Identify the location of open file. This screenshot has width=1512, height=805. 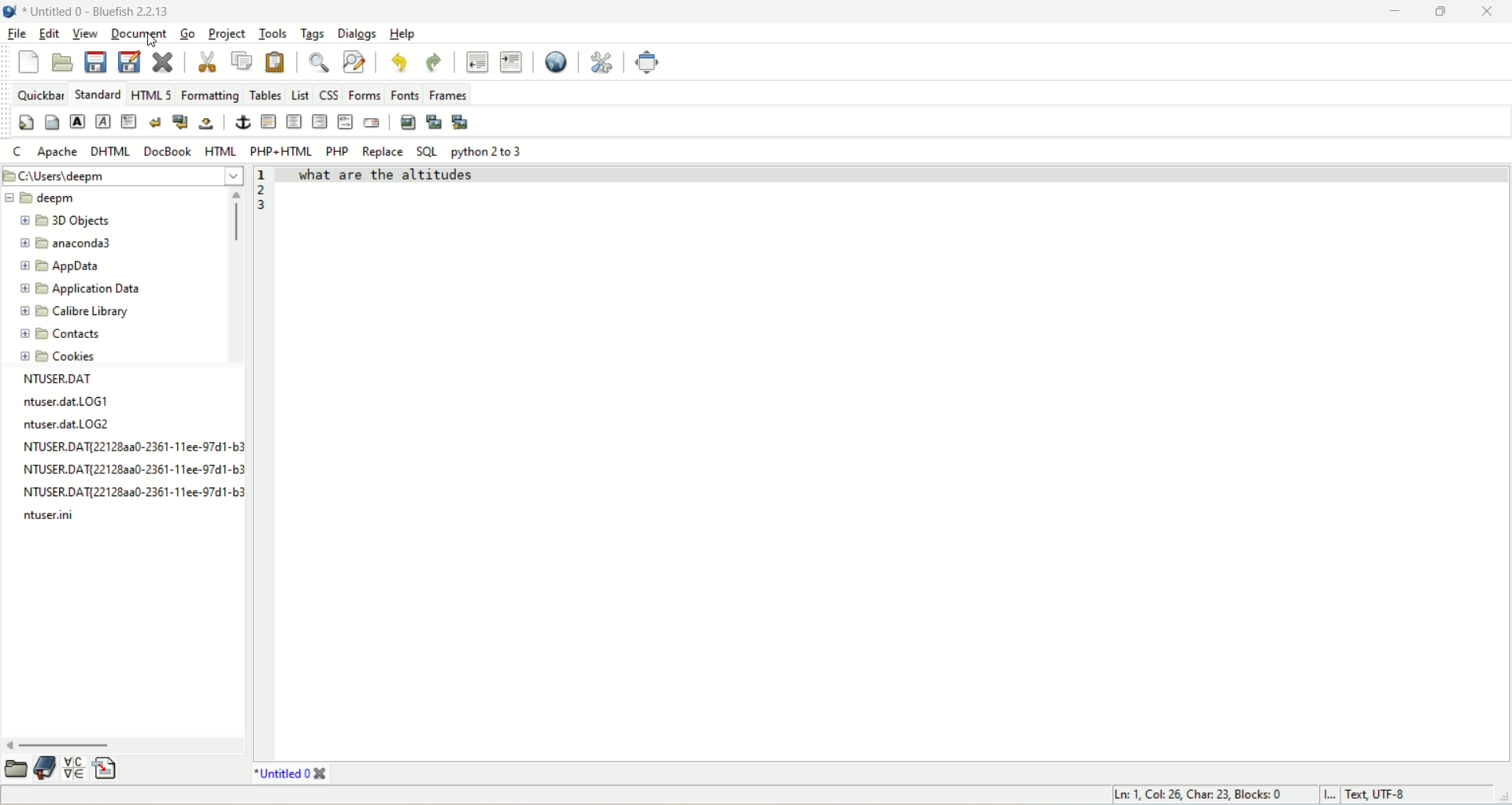
(63, 61).